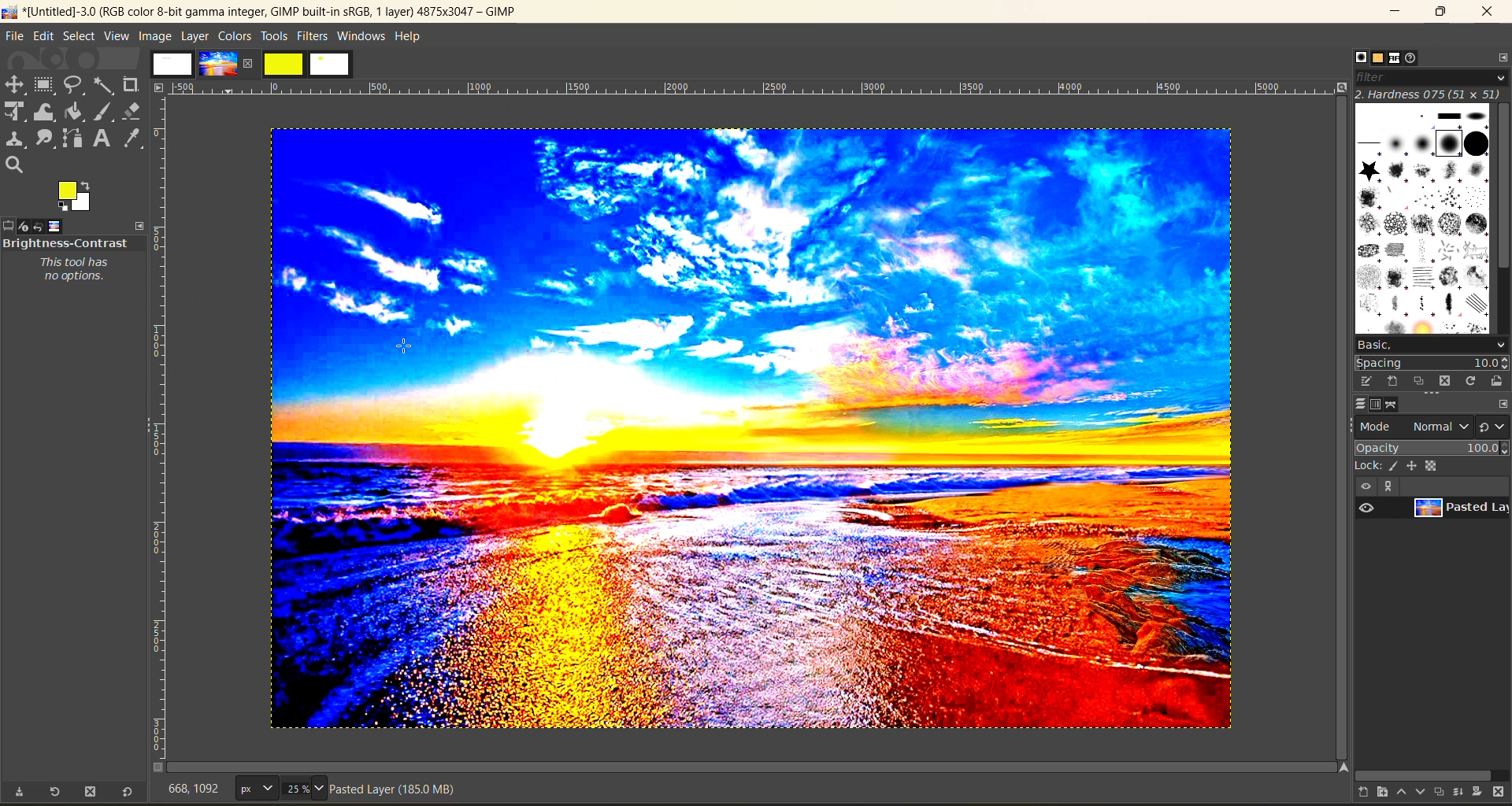 The width and height of the screenshot is (1512, 806). What do you see at coordinates (1474, 384) in the screenshot?
I see `refresh brush` at bounding box center [1474, 384].